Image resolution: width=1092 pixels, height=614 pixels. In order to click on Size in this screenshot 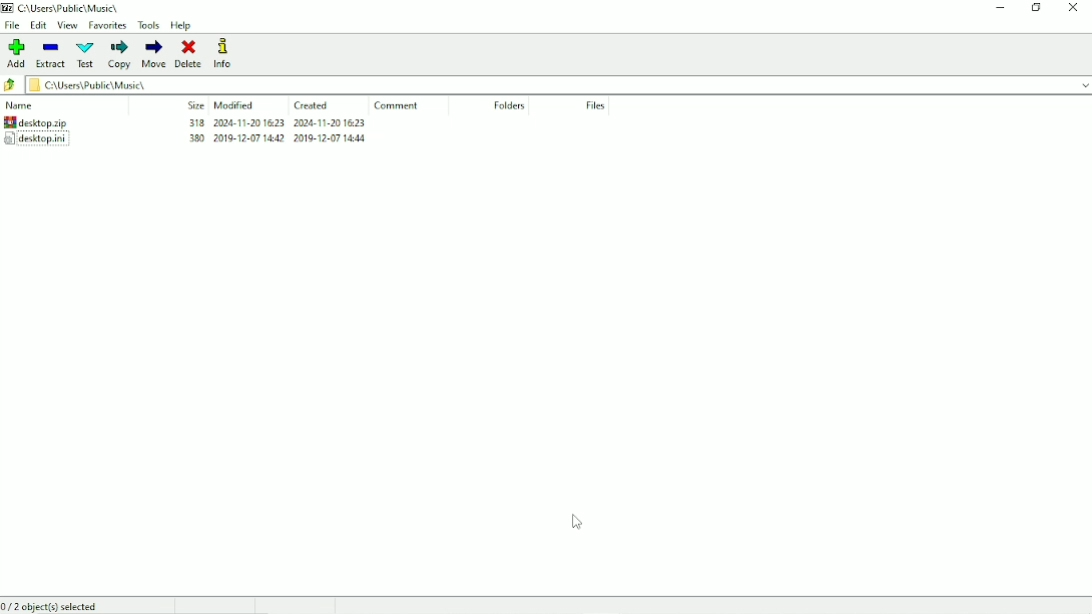, I will do `click(192, 105)`.